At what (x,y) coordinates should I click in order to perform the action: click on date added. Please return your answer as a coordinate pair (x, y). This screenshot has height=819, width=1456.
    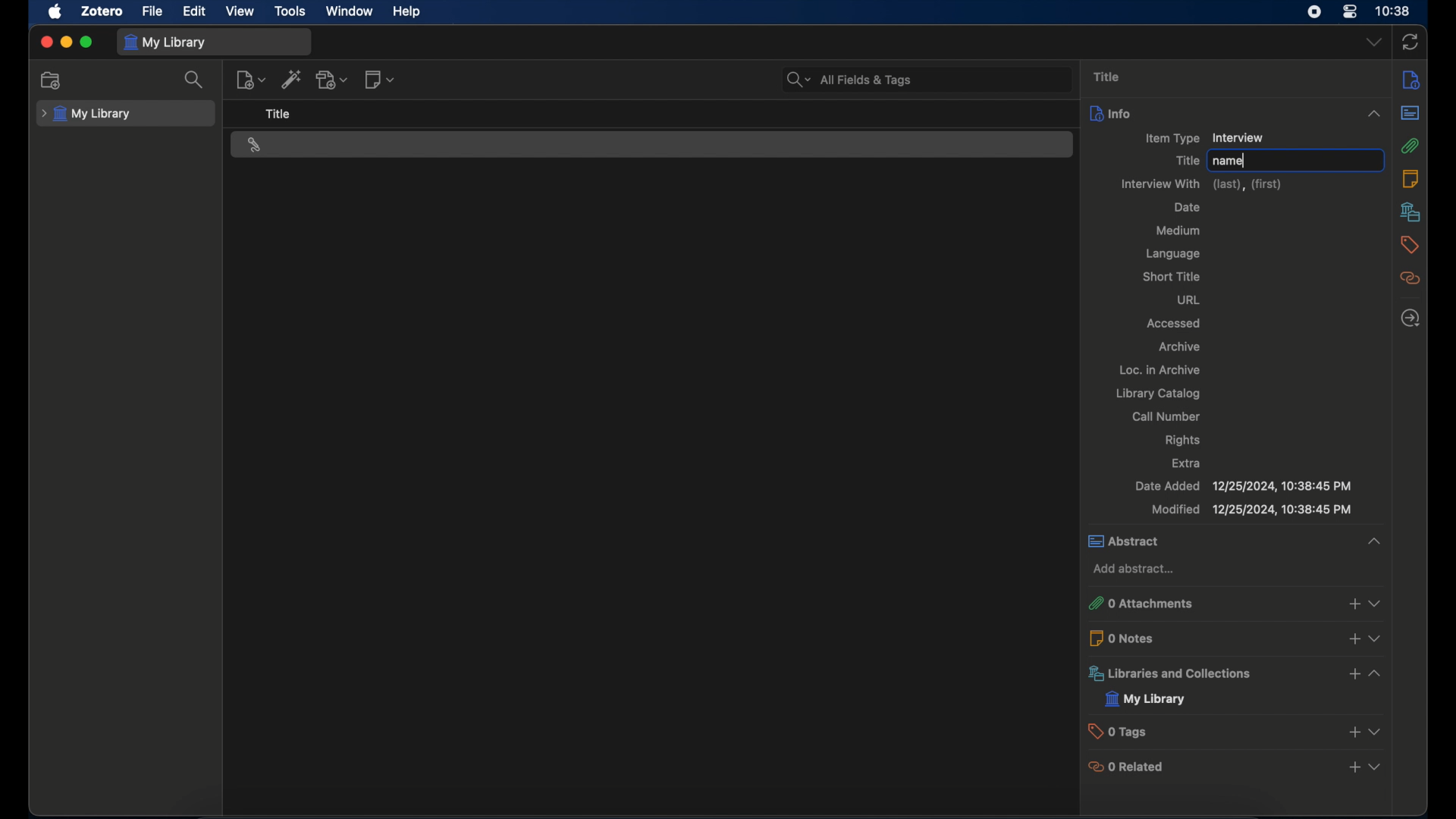
    Looking at the image, I should click on (1243, 486).